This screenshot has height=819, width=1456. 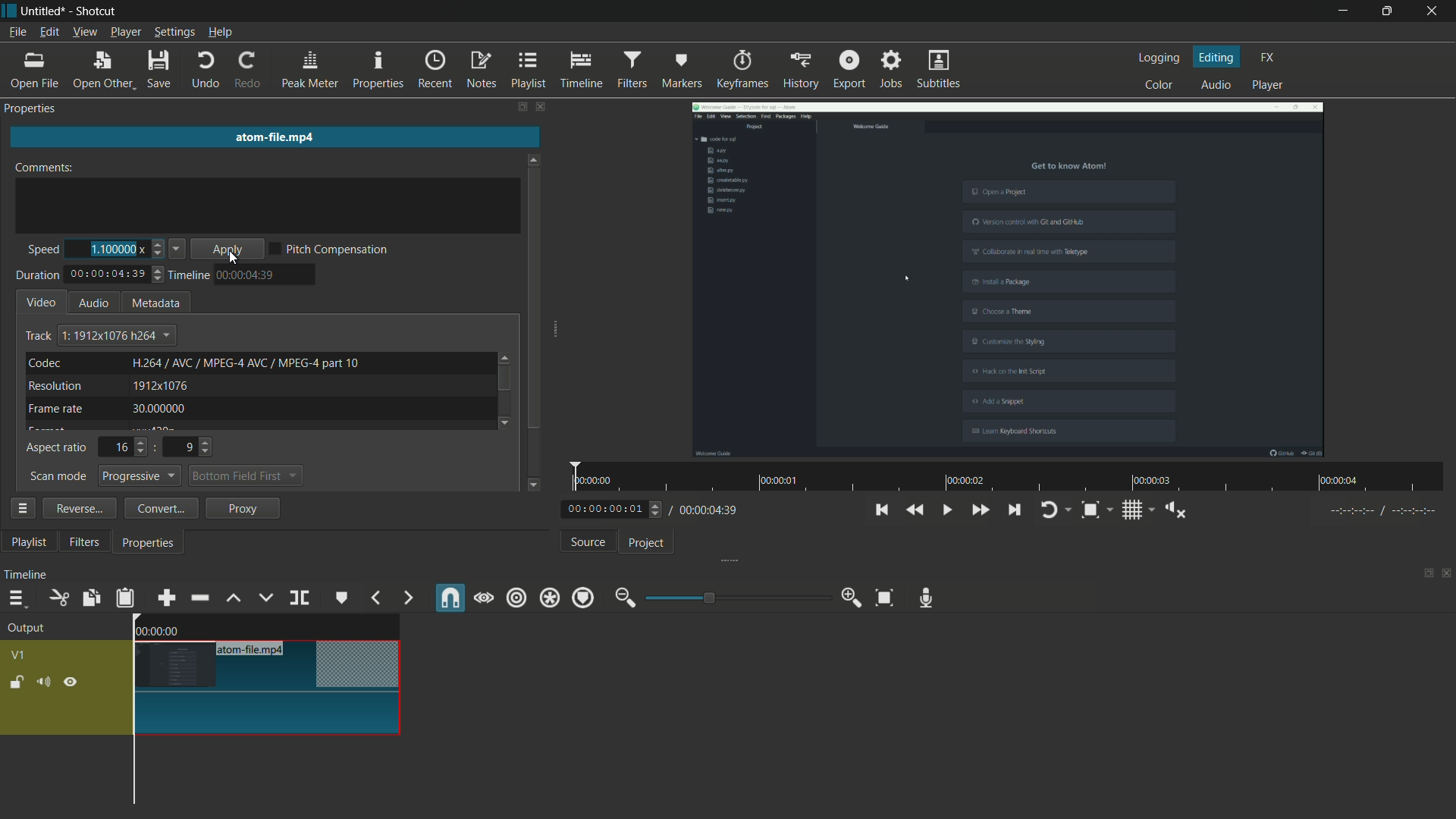 I want to click on jobs, so click(x=891, y=68).